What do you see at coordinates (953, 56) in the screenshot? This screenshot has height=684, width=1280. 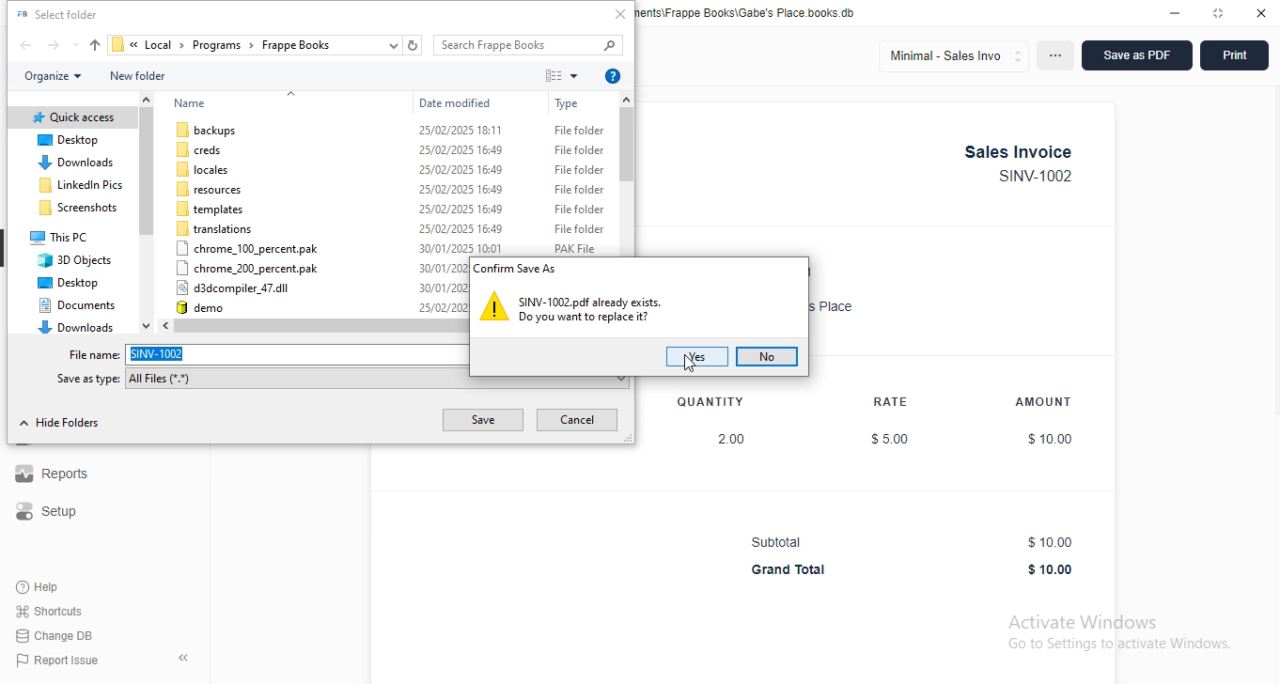 I see `minimal - sales invo` at bounding box center [953, 56].